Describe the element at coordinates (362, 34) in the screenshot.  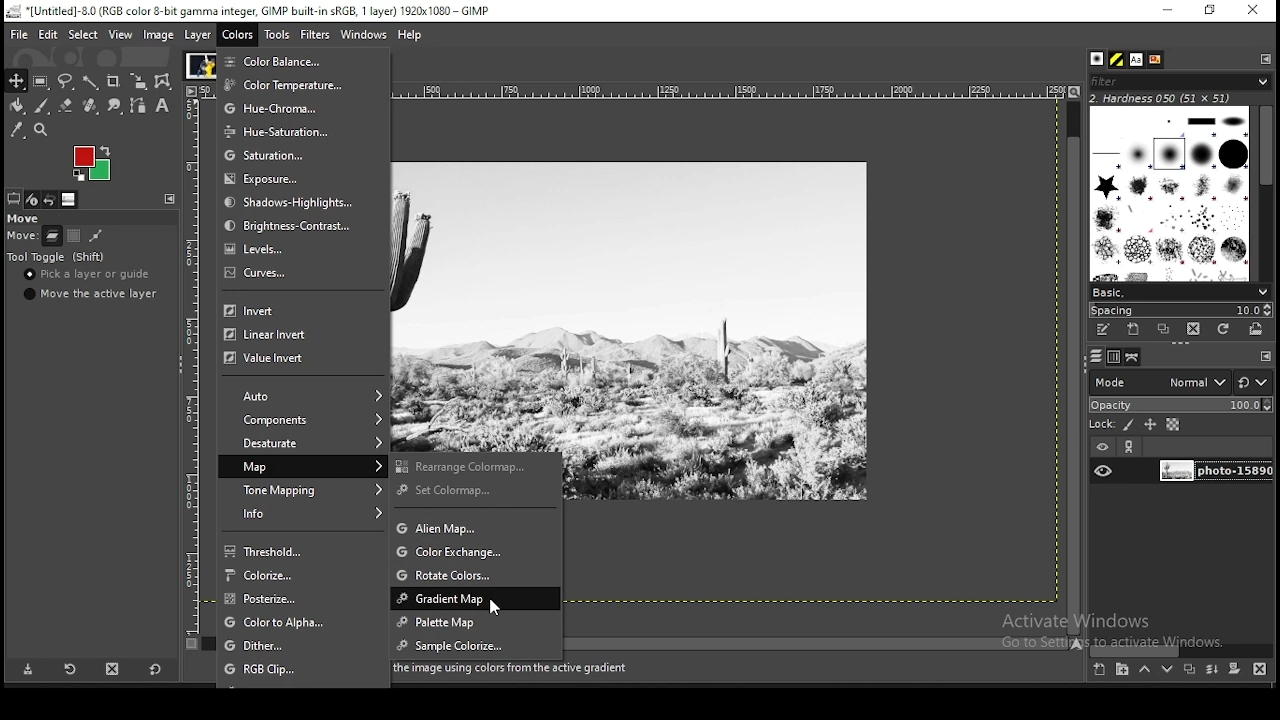
I see `windows` at that location.